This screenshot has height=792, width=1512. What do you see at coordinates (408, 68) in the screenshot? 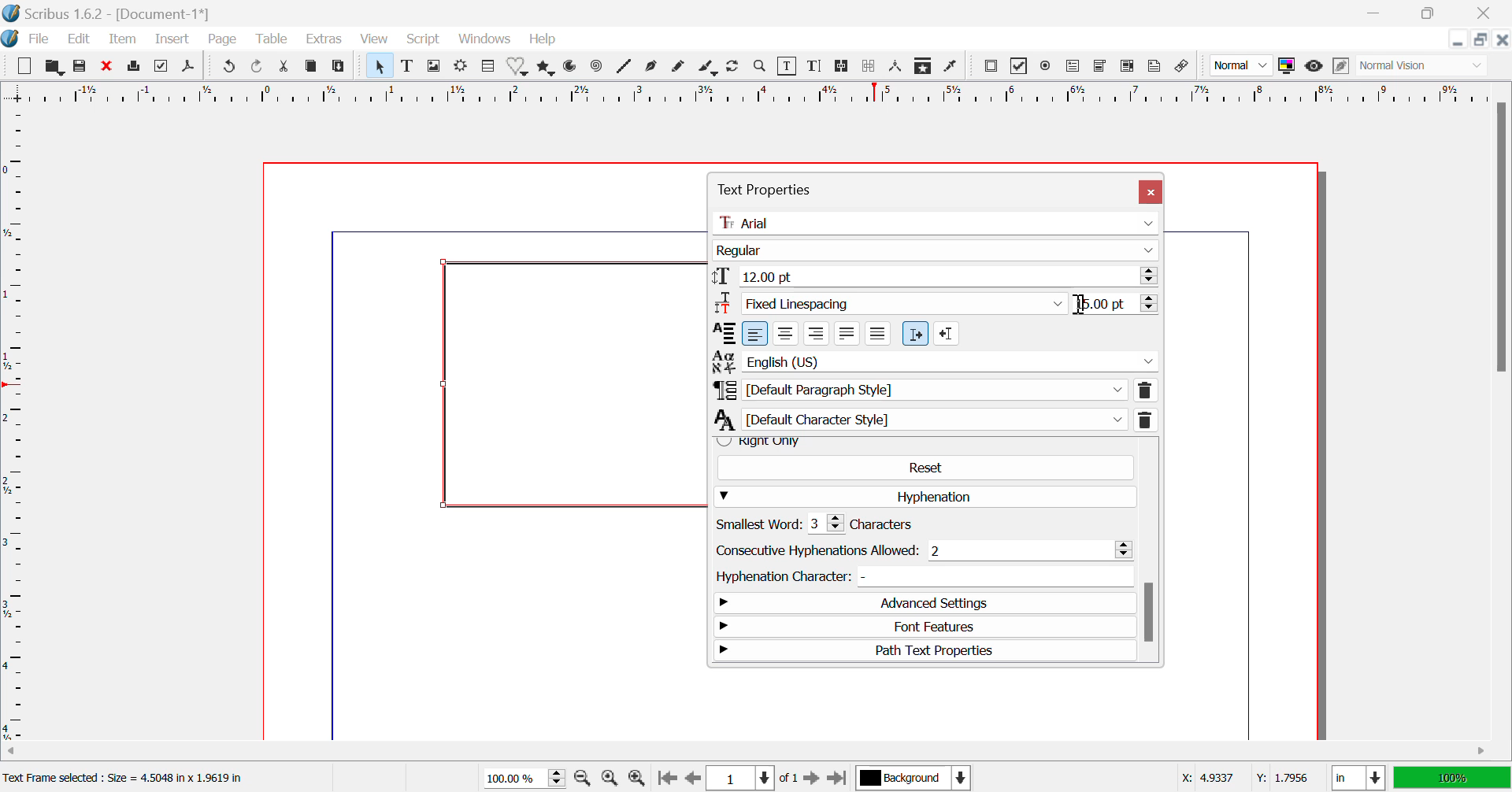
I see `Text Frame` at bounding box center [408, 68].